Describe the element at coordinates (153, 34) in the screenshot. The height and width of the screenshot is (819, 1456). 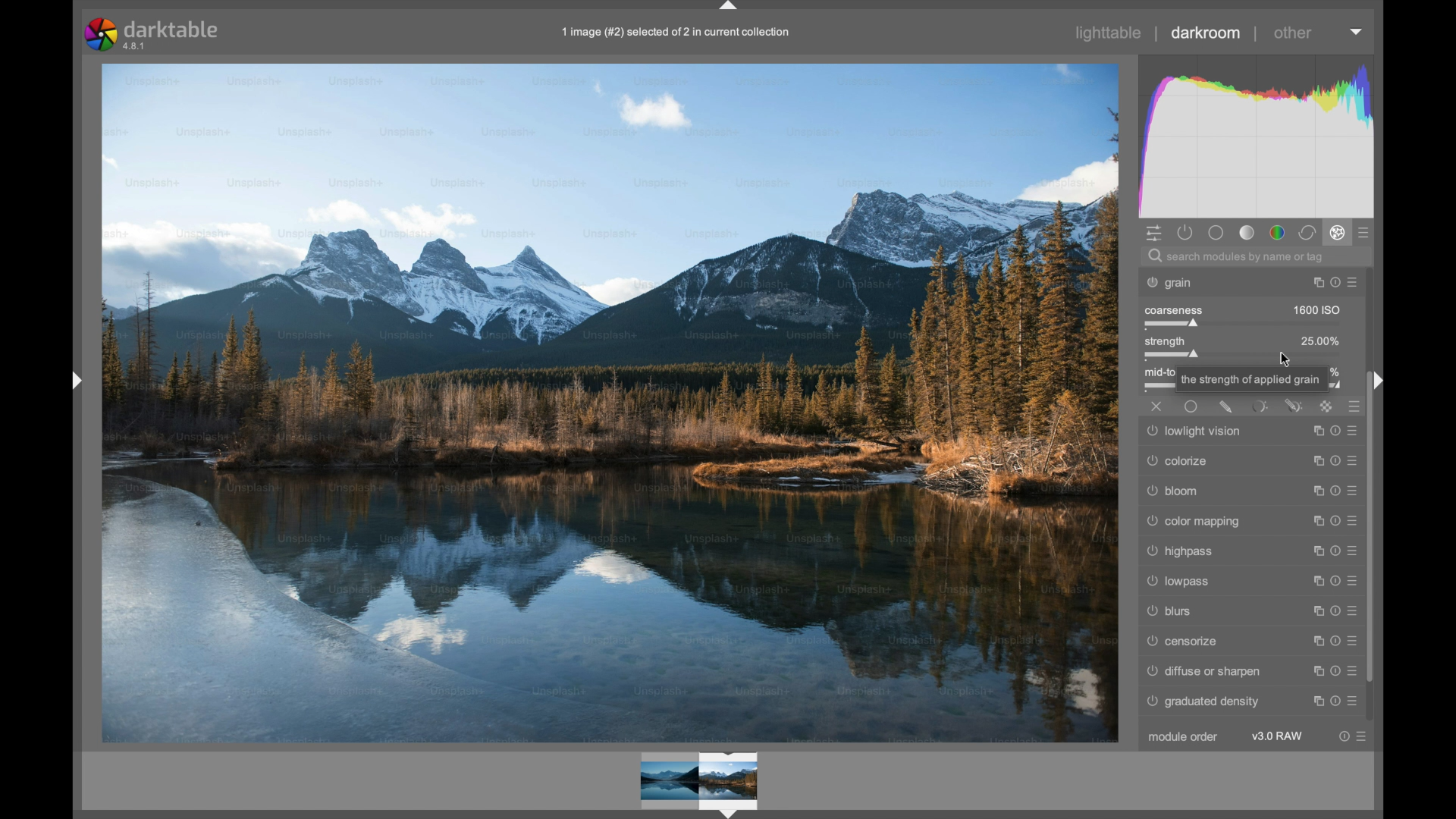
I see `darktable 4.8.1` at that location.